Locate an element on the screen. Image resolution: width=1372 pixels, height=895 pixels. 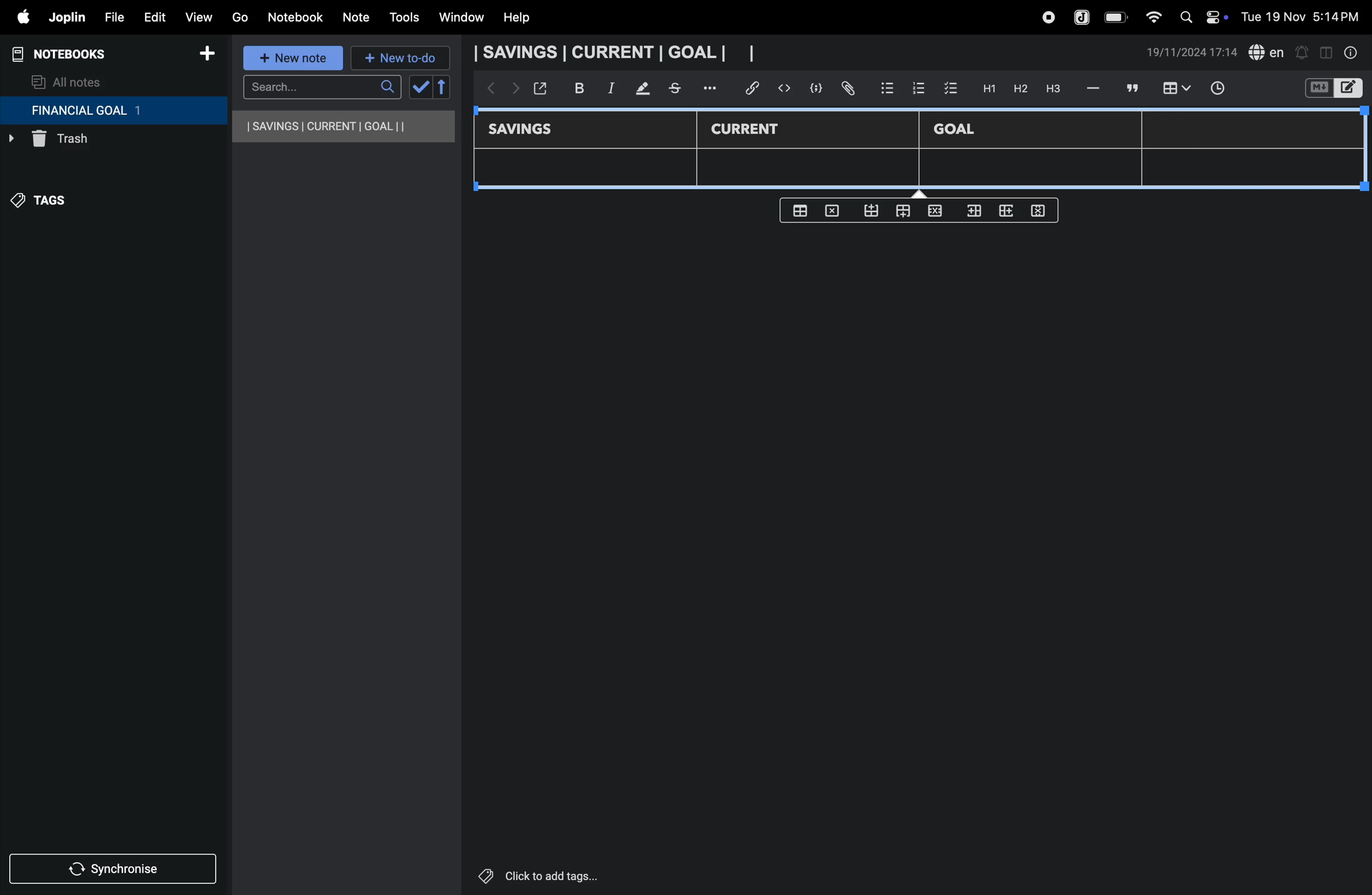
add rows is located at coordinates (1004, 214).